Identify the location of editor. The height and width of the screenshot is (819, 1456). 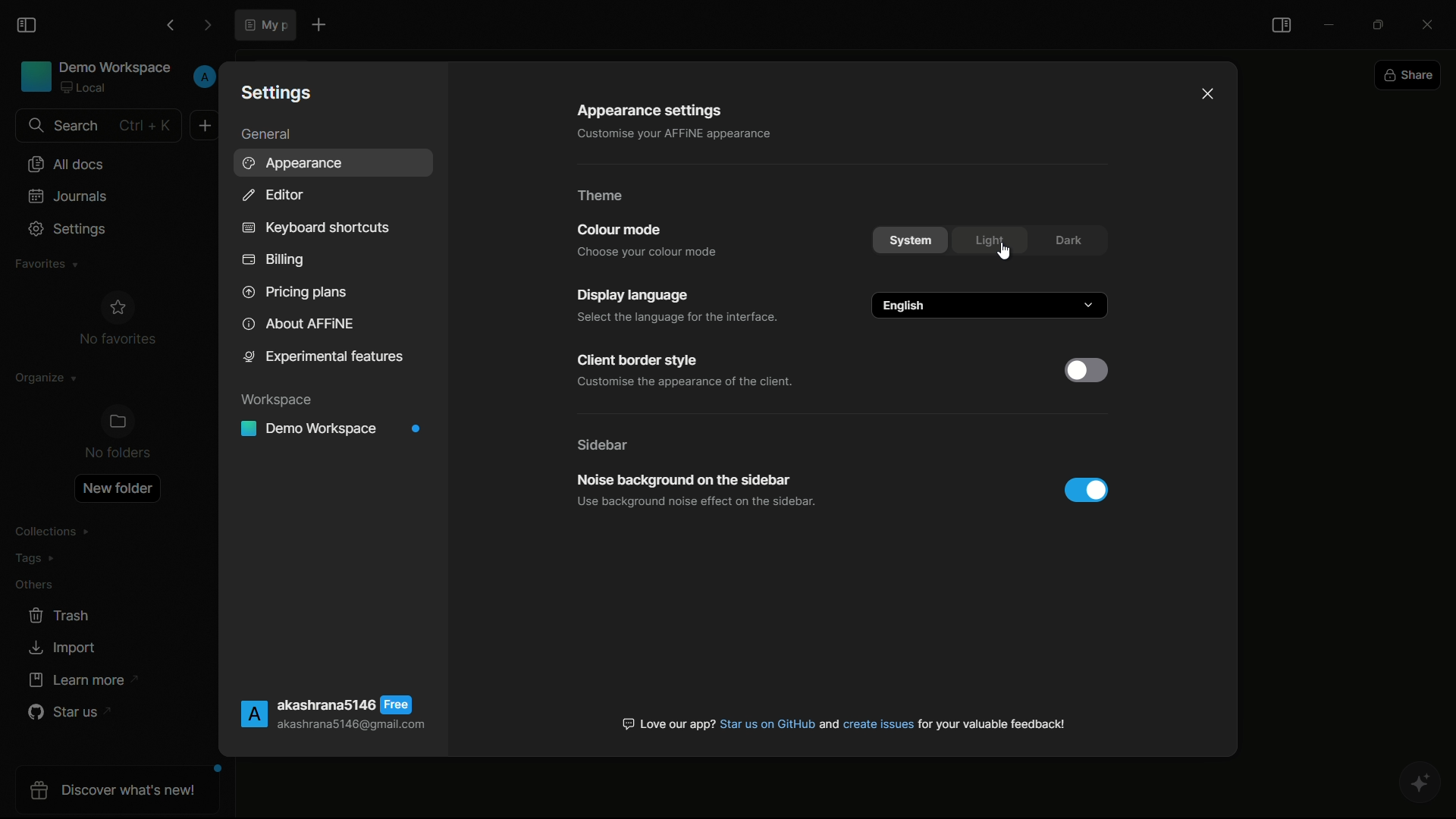
(271, 195).